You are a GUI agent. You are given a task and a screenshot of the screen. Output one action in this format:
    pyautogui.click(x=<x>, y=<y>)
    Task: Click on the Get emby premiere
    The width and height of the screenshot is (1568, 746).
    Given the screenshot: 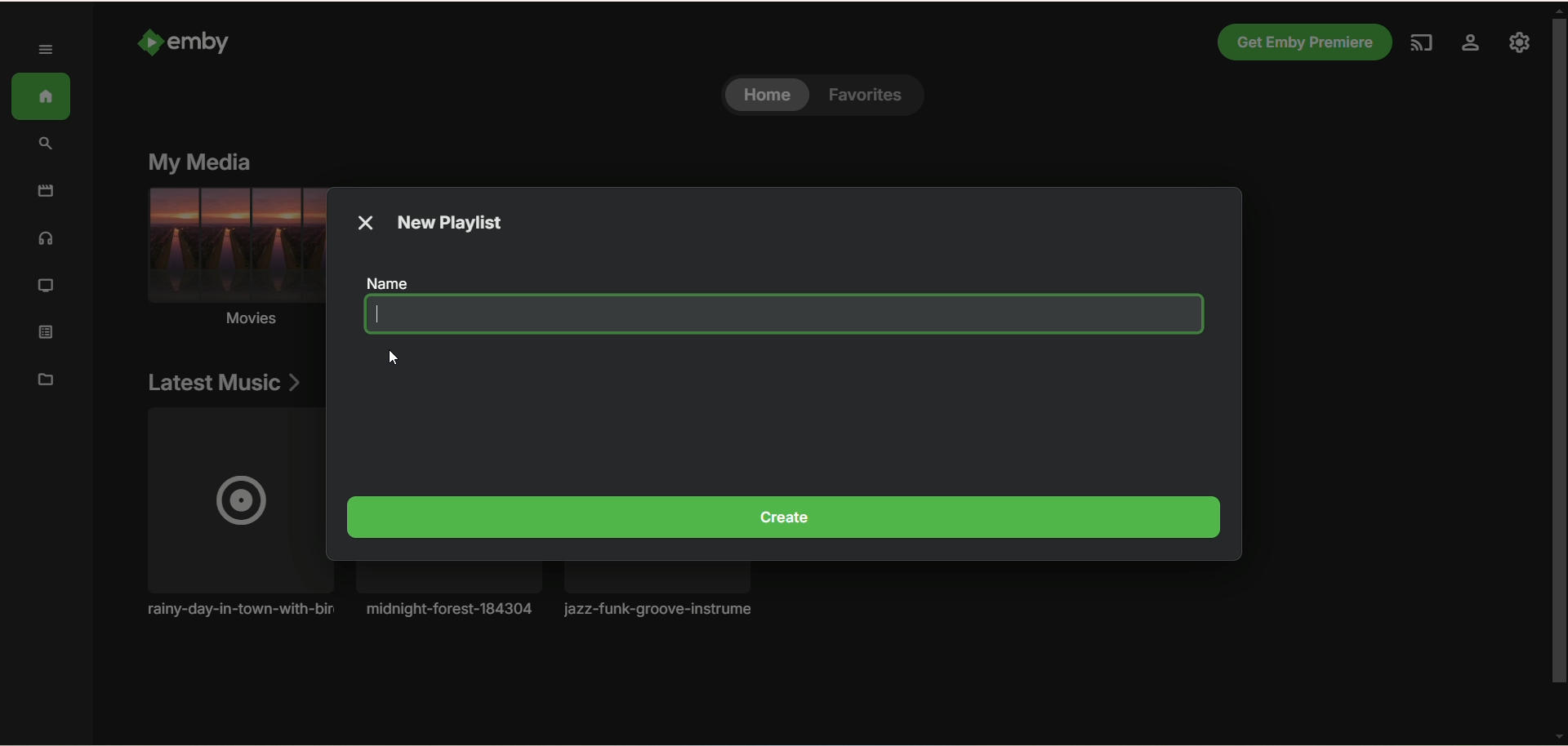 What is the action you would take?
    pyautogui.click(x=1303, y=42)
    